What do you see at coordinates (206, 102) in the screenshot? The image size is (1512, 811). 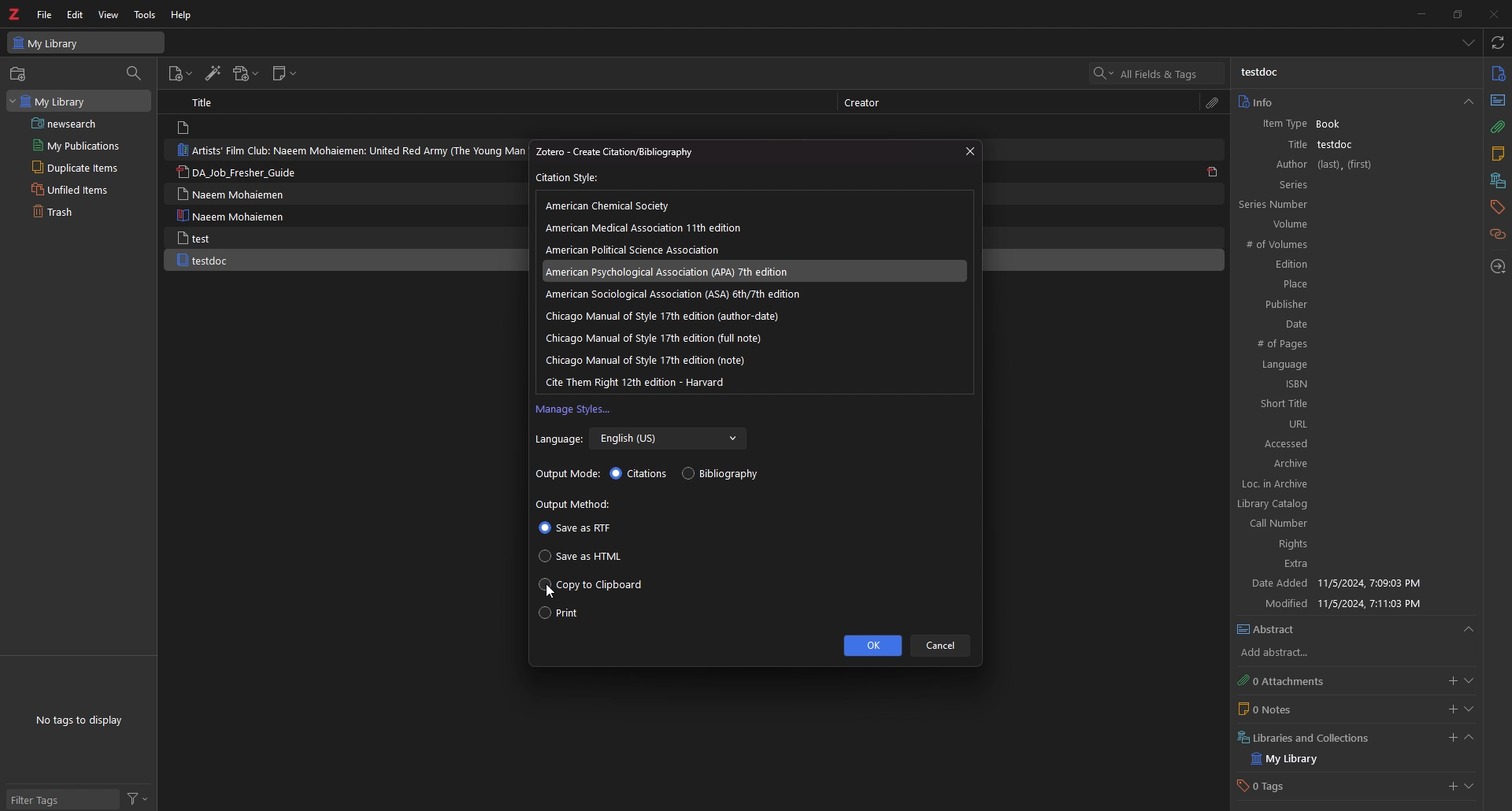 I see `Title` at bounding box center [206, 102].